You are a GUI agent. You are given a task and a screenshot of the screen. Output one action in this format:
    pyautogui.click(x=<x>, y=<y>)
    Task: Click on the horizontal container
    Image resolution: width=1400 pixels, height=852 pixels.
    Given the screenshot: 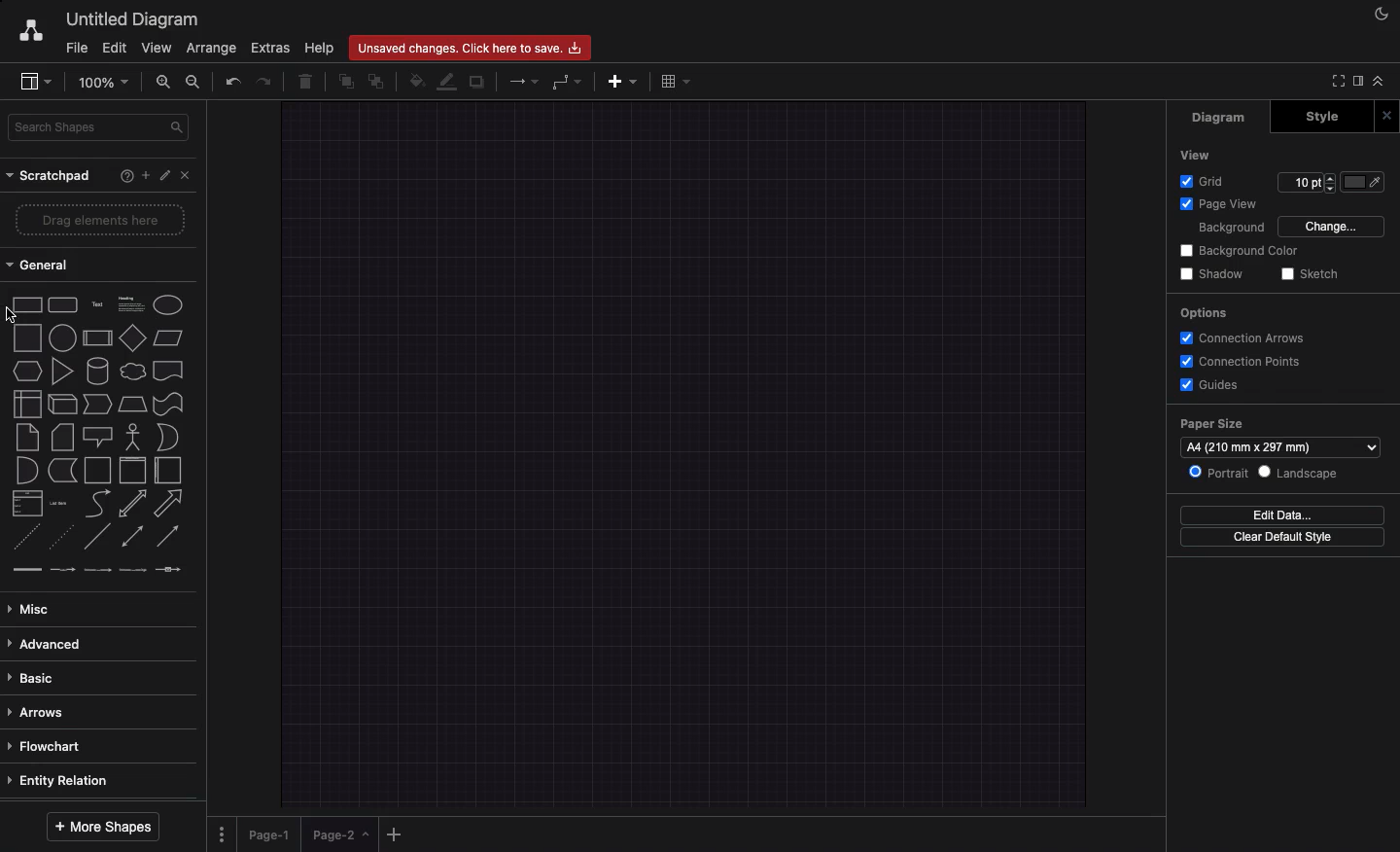 What is the action you would take?
    pyautogui.click(x=166, y=471)
    